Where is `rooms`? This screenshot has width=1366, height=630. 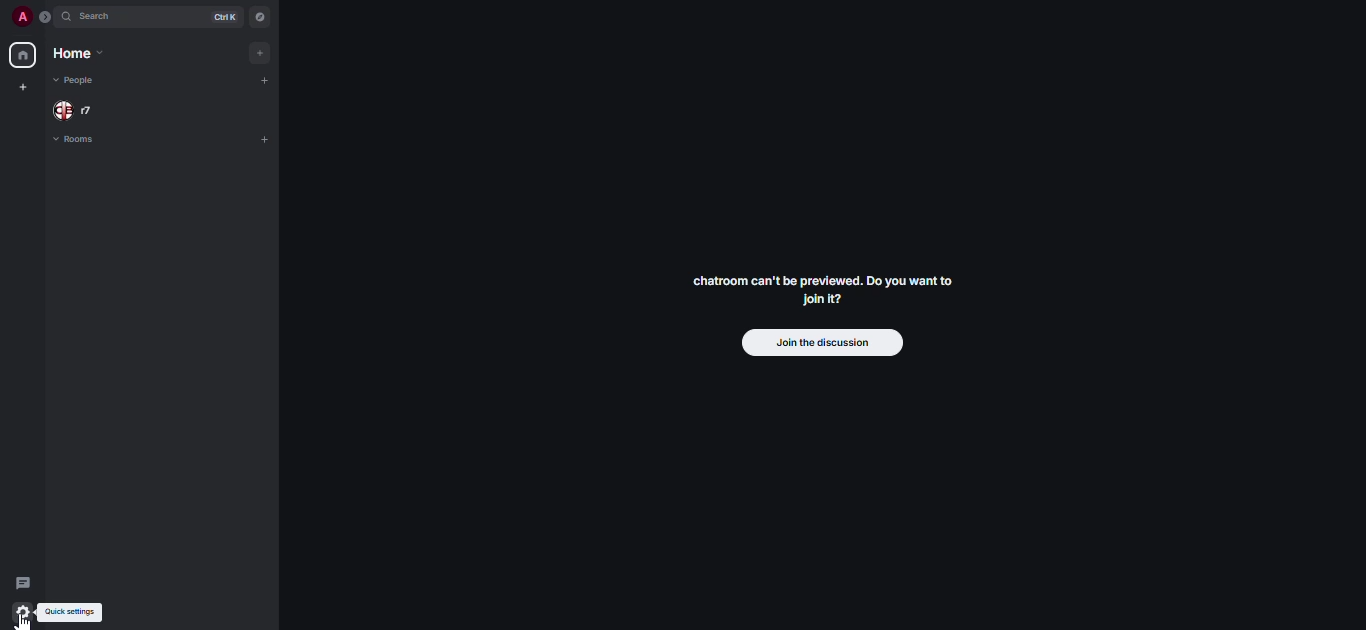 rooms is located at coordinates (79, 141).